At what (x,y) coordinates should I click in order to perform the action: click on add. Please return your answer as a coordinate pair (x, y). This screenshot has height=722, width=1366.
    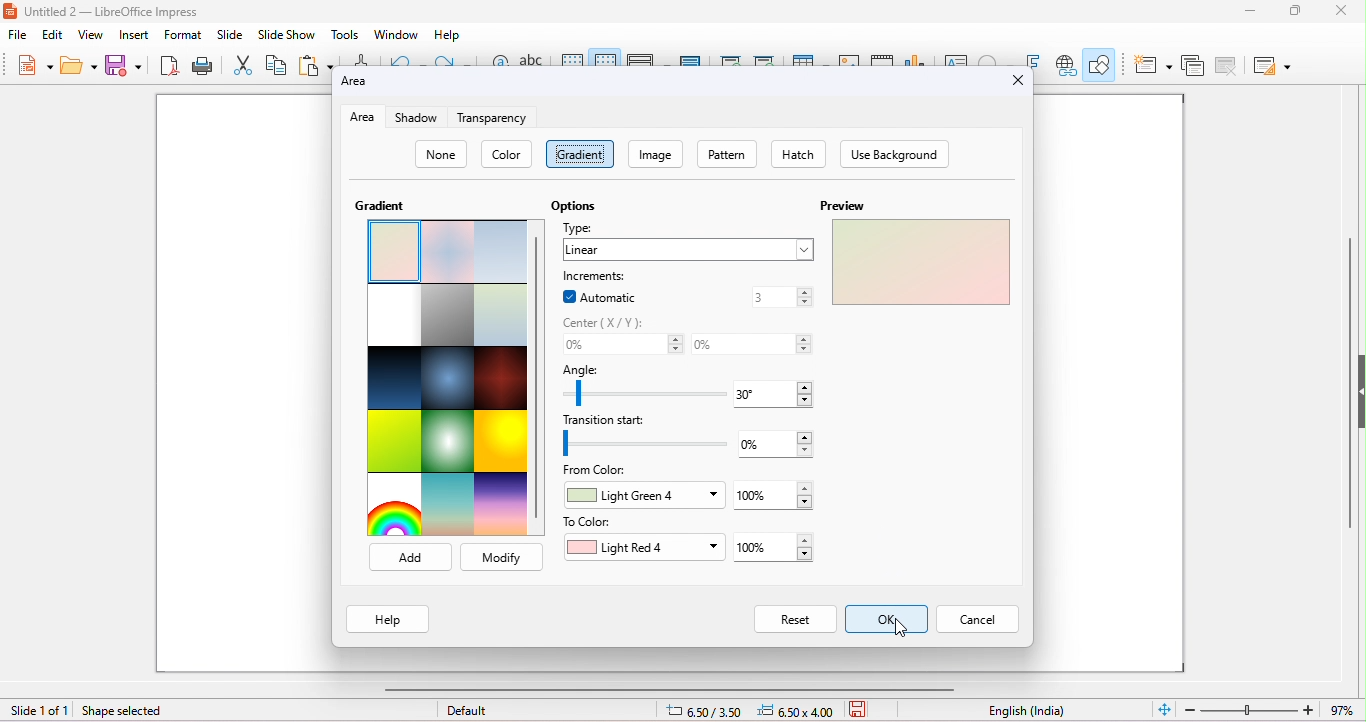
    Looking at the image, I should click on (408, 557).